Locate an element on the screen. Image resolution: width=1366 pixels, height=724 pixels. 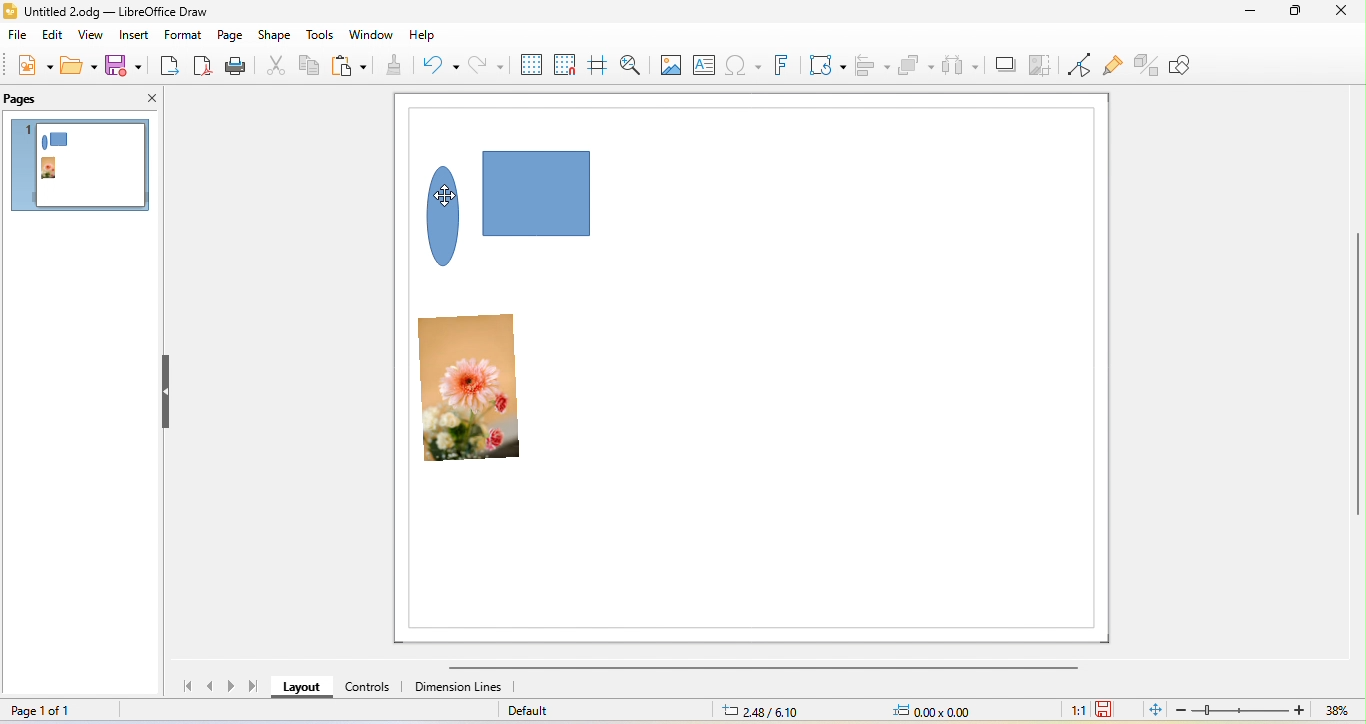
 first page is located at coordinates (193, 689).